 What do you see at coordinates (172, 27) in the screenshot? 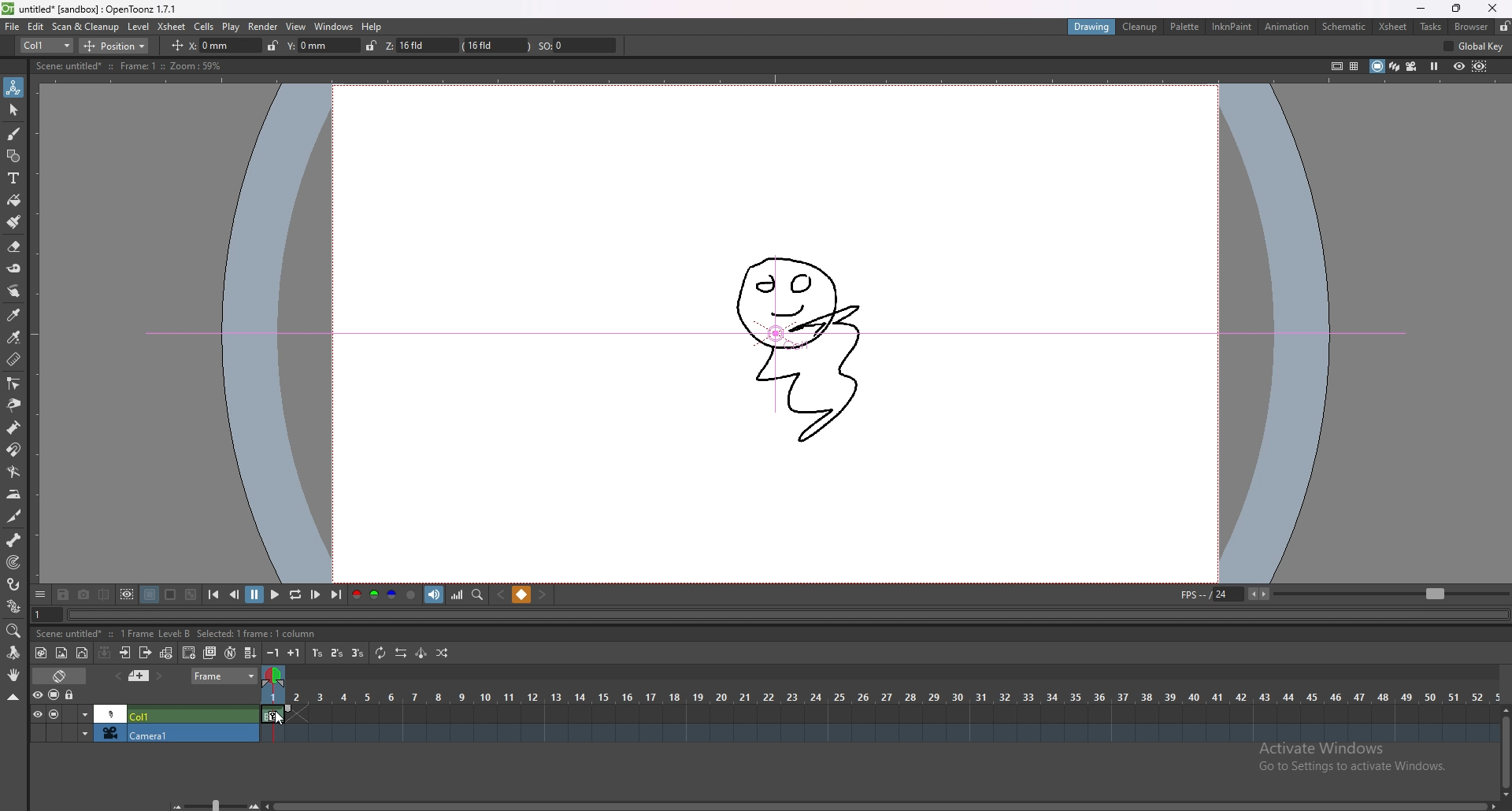
I see `xsheet` at bounding box center [172, 27].